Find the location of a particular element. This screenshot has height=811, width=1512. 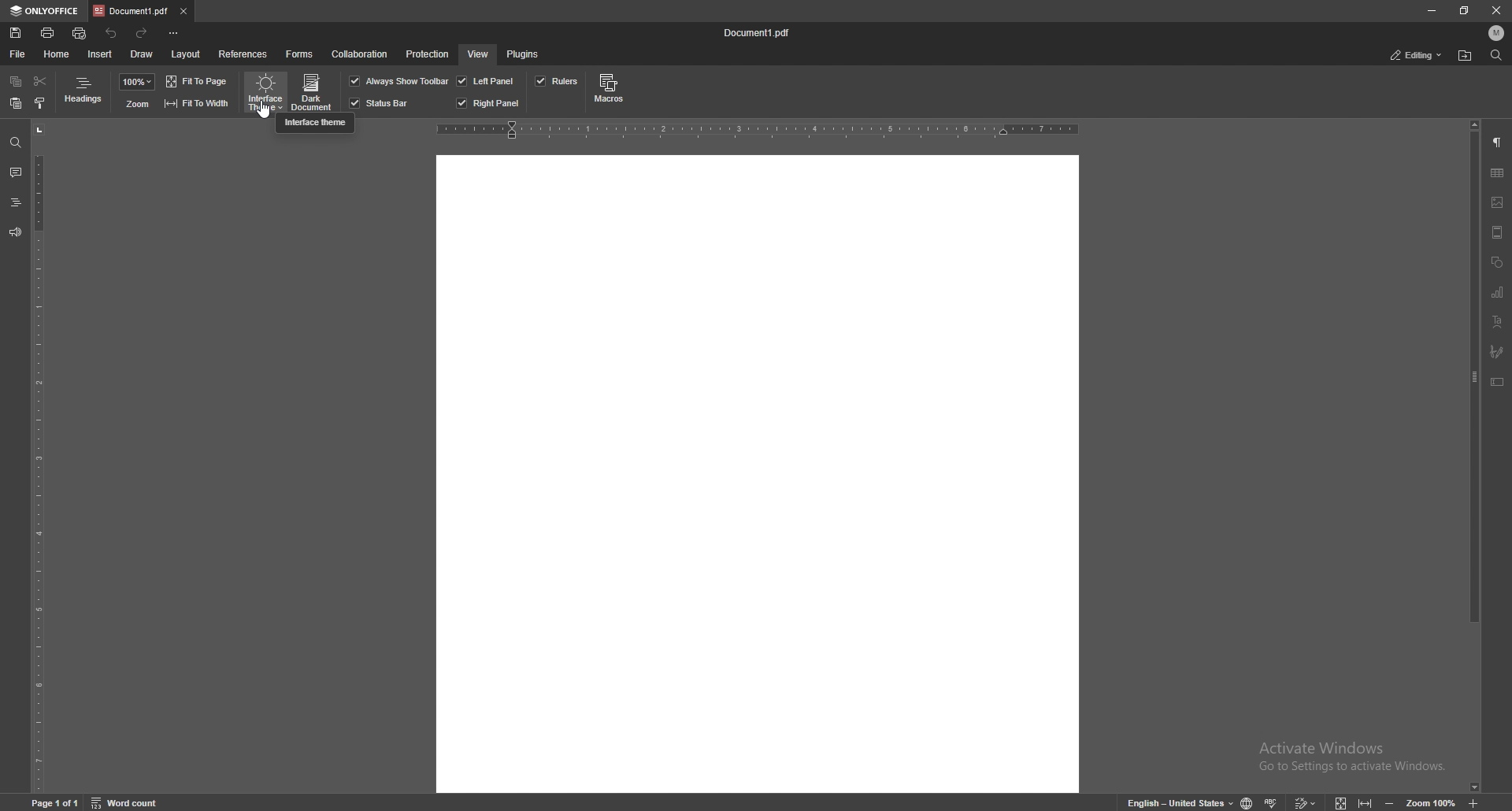

feedback is located at coordinates (15, 233).